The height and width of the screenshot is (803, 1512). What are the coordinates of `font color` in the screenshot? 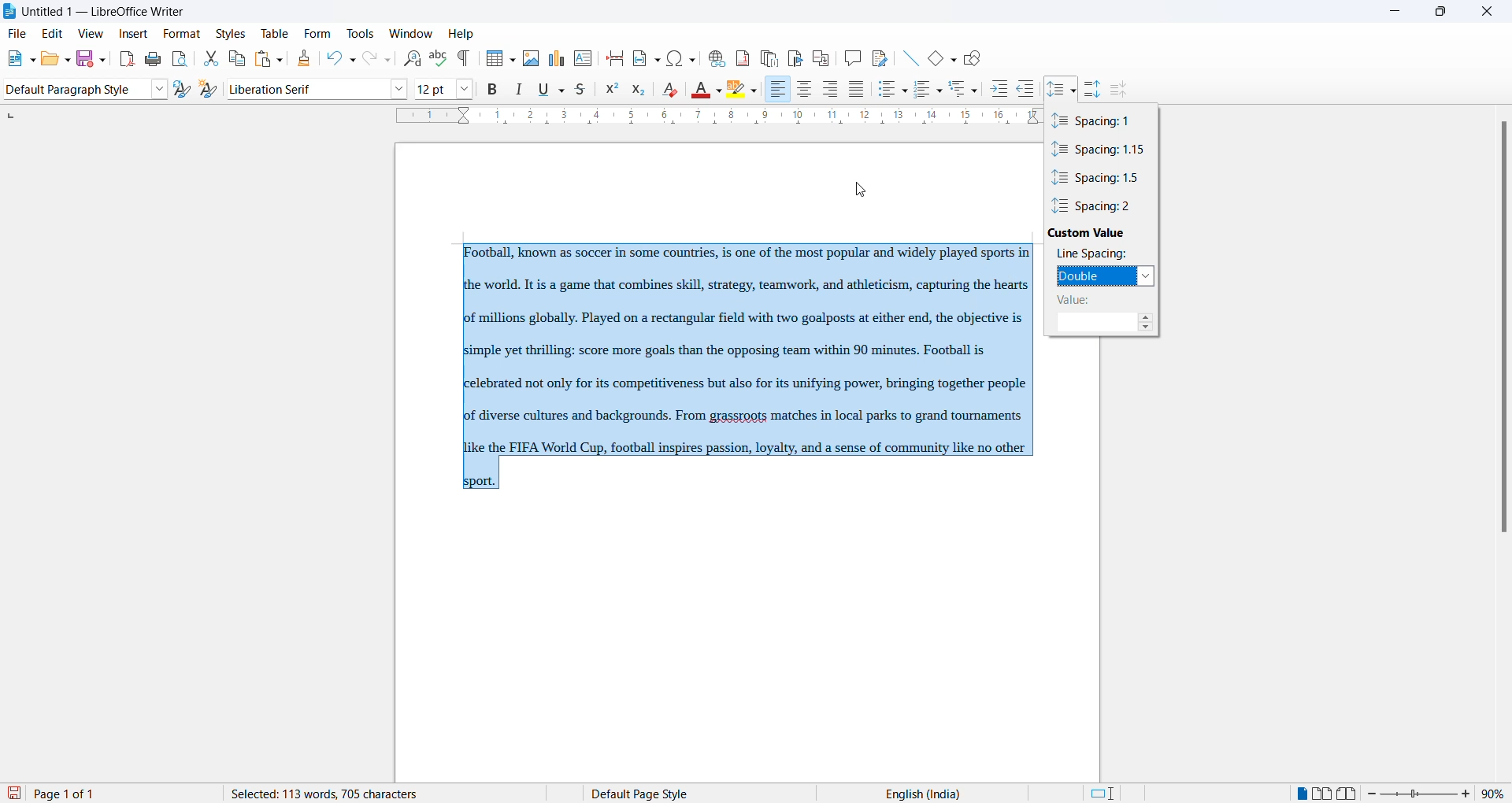 It's located at (701, 89).